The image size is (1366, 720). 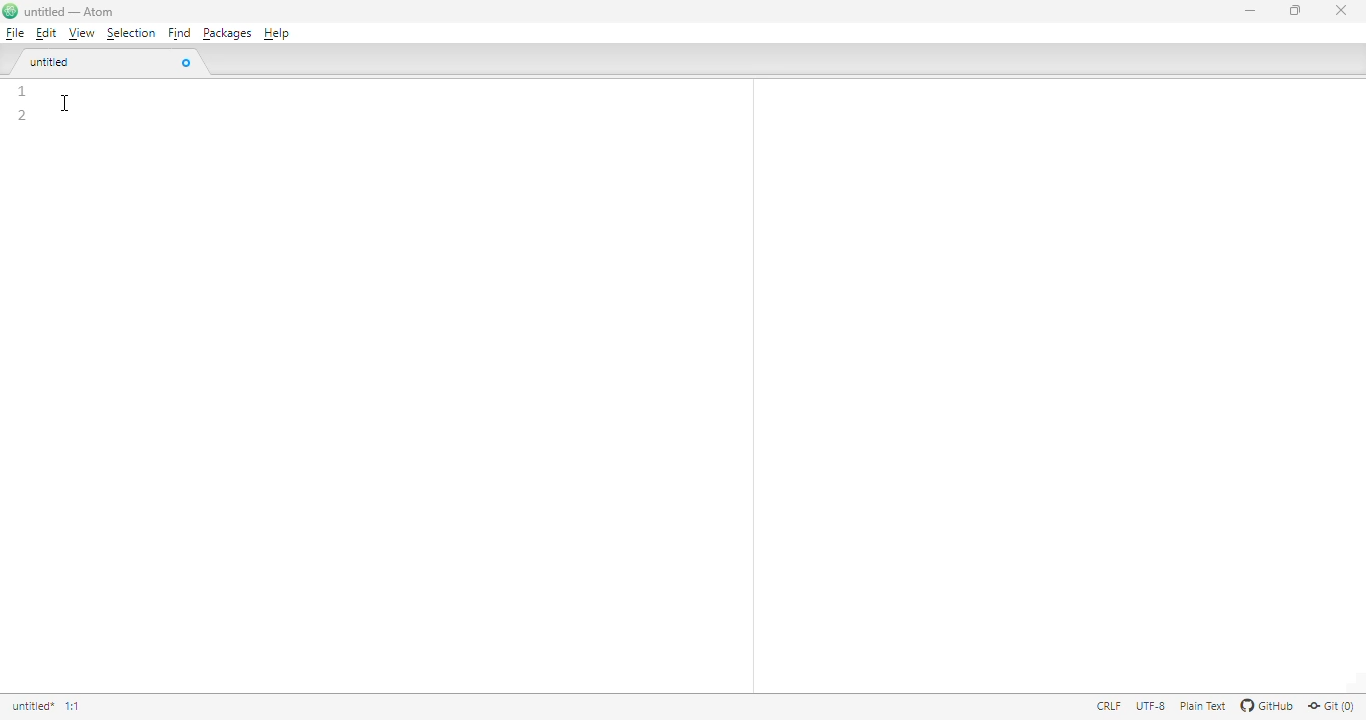 I want to click on line 1, column 1, so click(x=84, y=707).